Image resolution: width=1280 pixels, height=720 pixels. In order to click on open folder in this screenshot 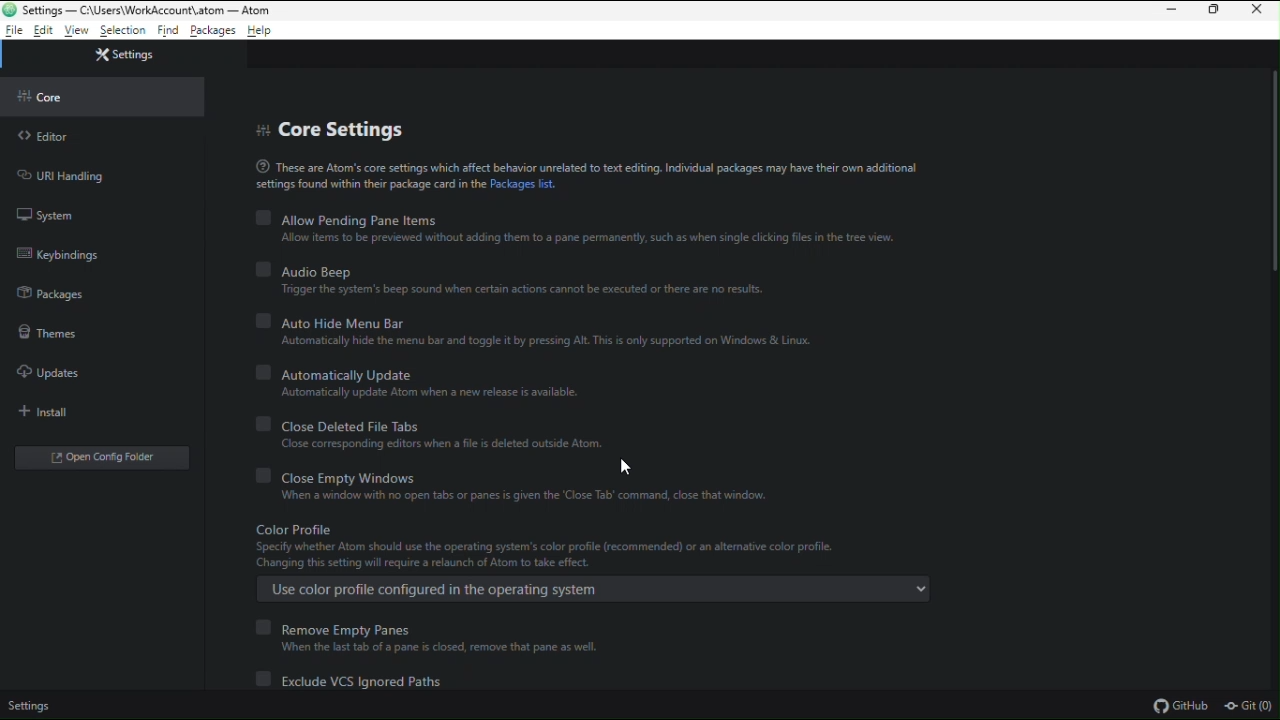, I will do `click(105, 456)`.